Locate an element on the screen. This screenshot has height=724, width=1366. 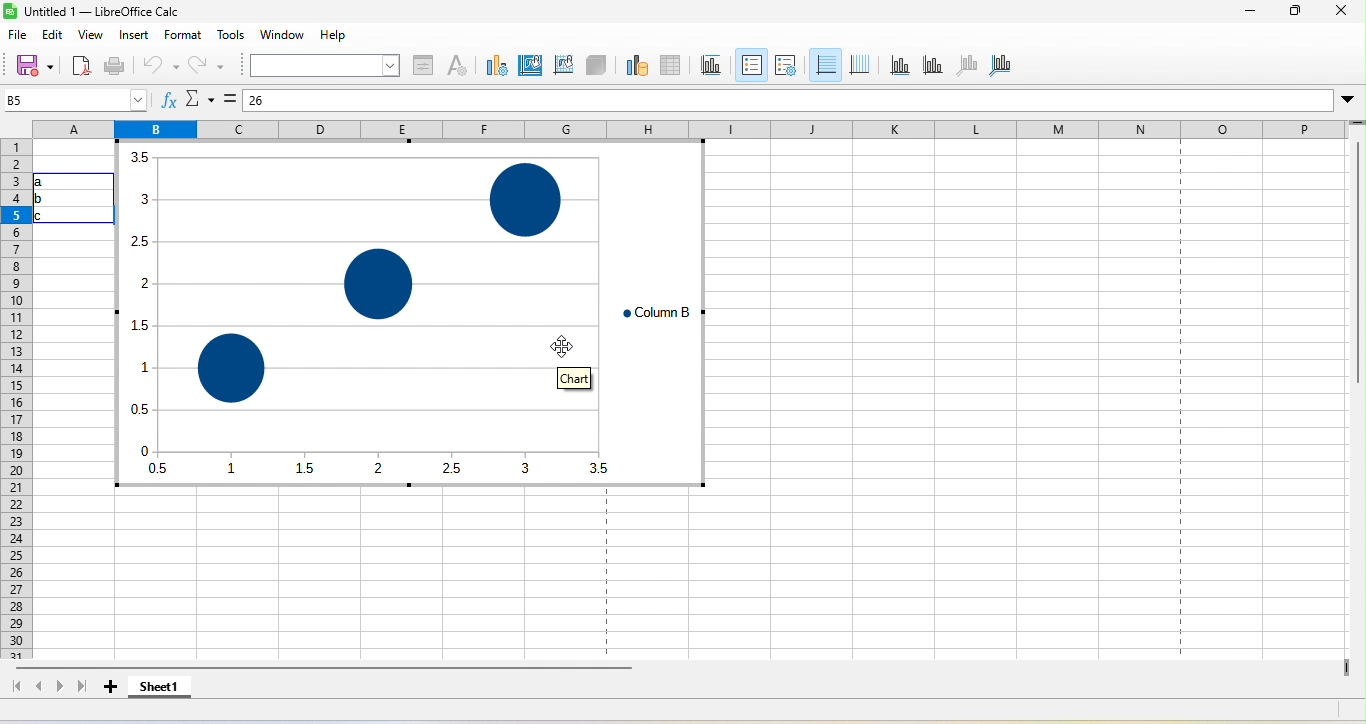
26 is located at coordinates (290, 102).